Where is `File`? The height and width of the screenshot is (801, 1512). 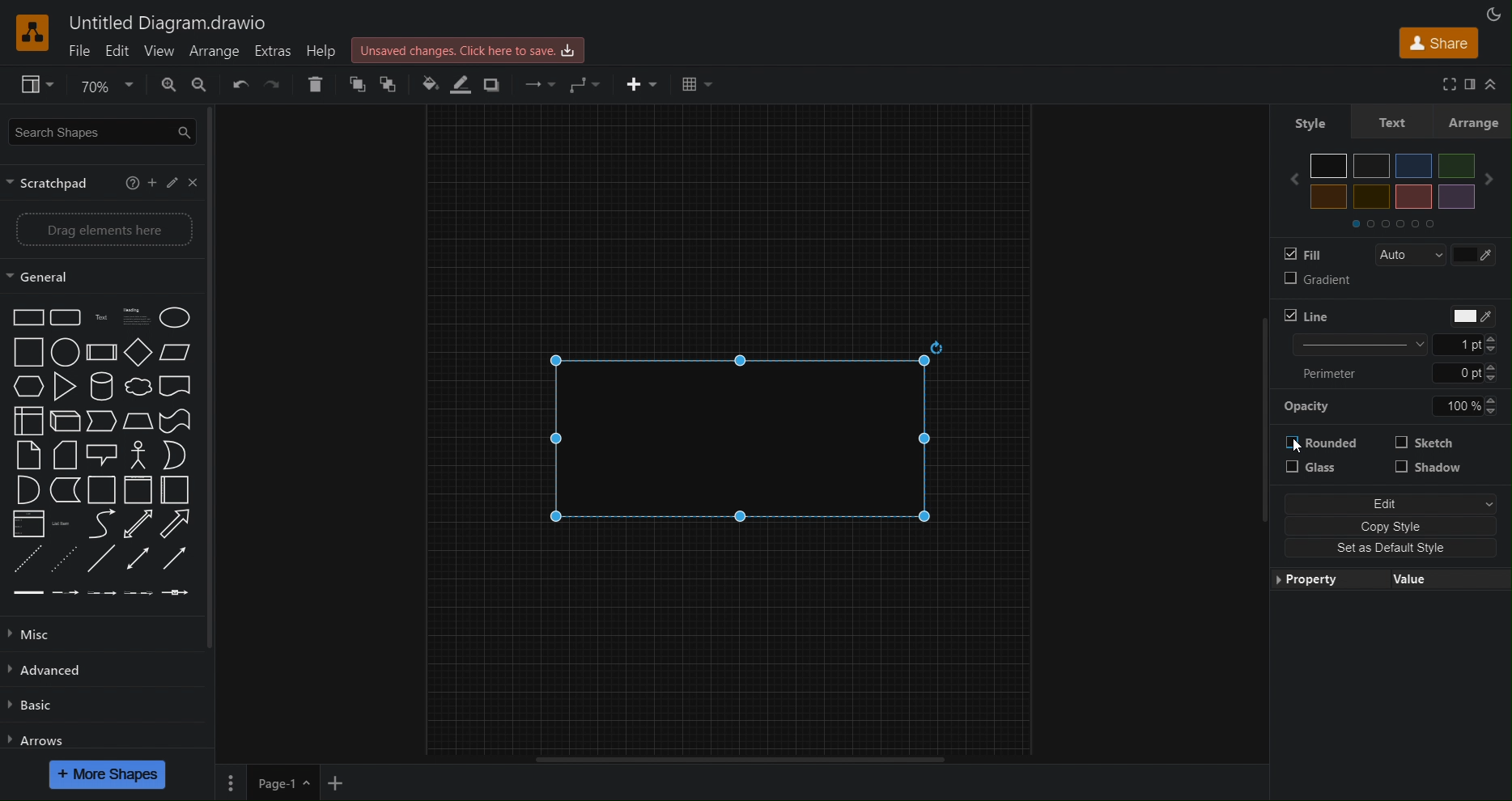 File is located at coordinates (80, 51).